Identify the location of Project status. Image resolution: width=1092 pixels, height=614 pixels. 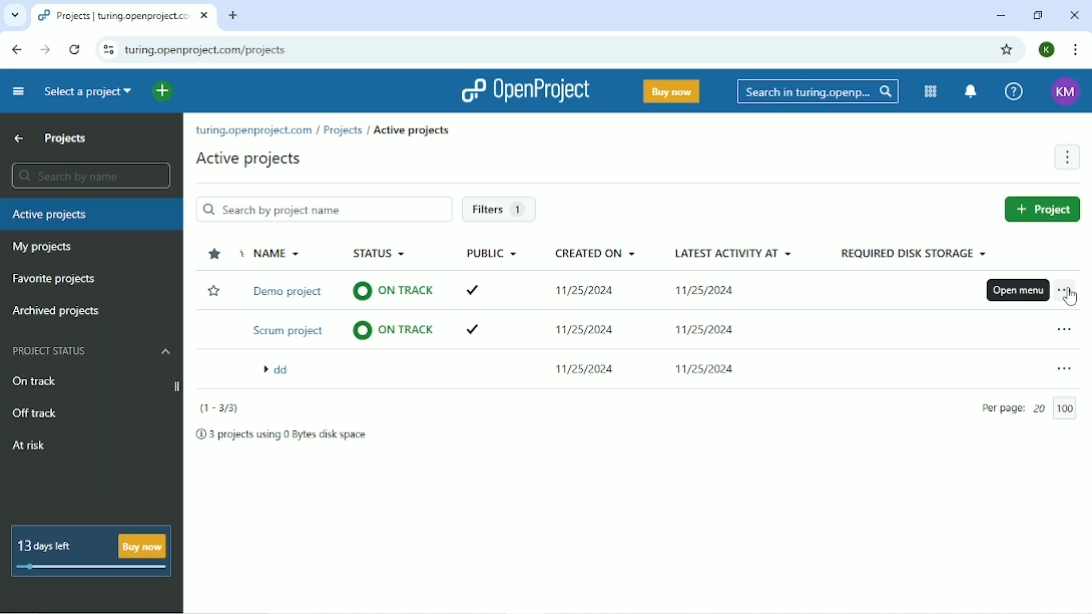
(91, 350).